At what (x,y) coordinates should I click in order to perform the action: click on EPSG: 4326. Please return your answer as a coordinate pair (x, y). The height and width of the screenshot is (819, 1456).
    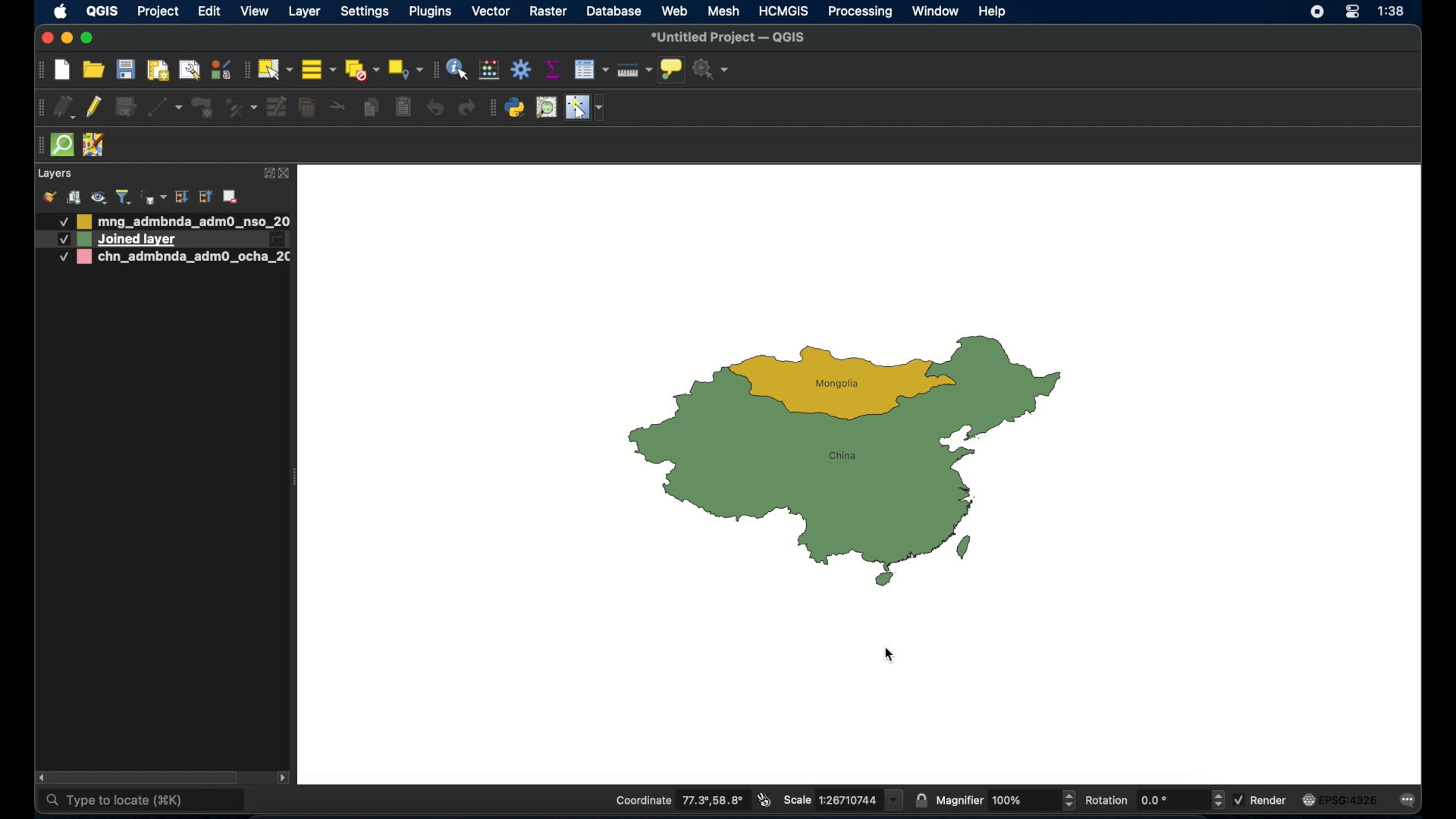
    Looking at the image, I should click on (1339, 799).